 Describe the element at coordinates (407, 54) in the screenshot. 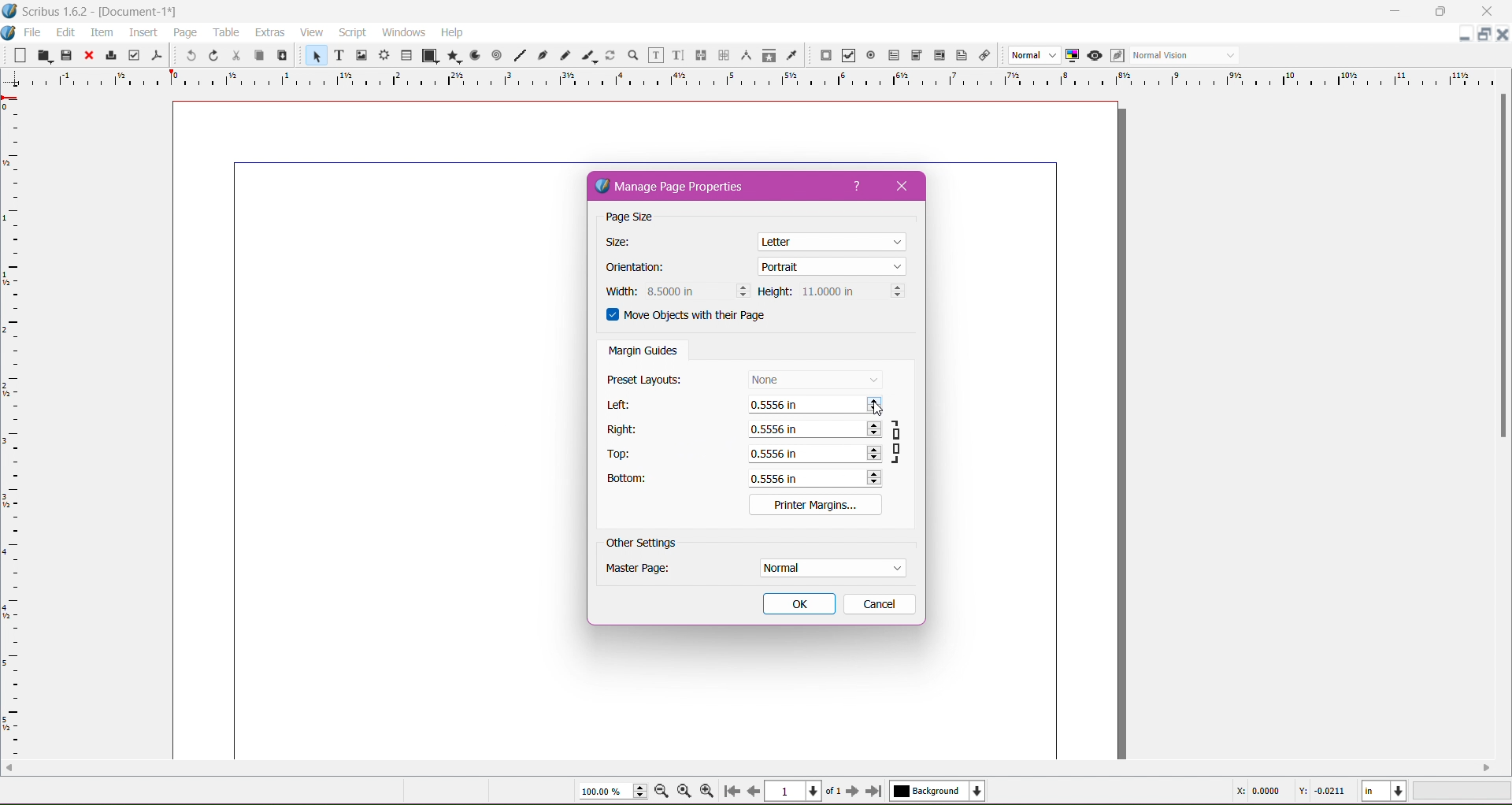

I see `Table` at that location.